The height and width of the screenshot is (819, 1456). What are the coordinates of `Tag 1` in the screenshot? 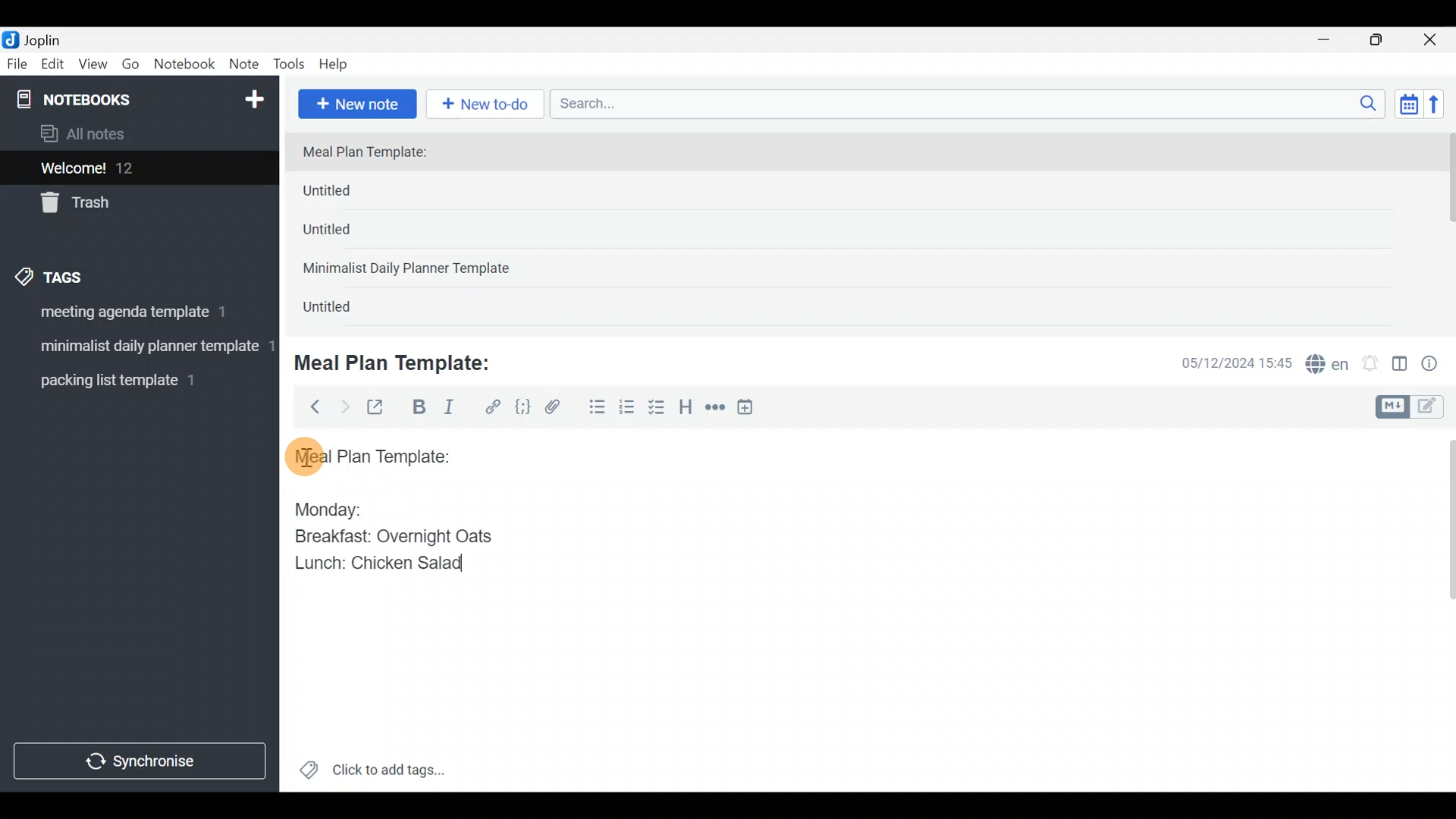 It's located at (135, 316).